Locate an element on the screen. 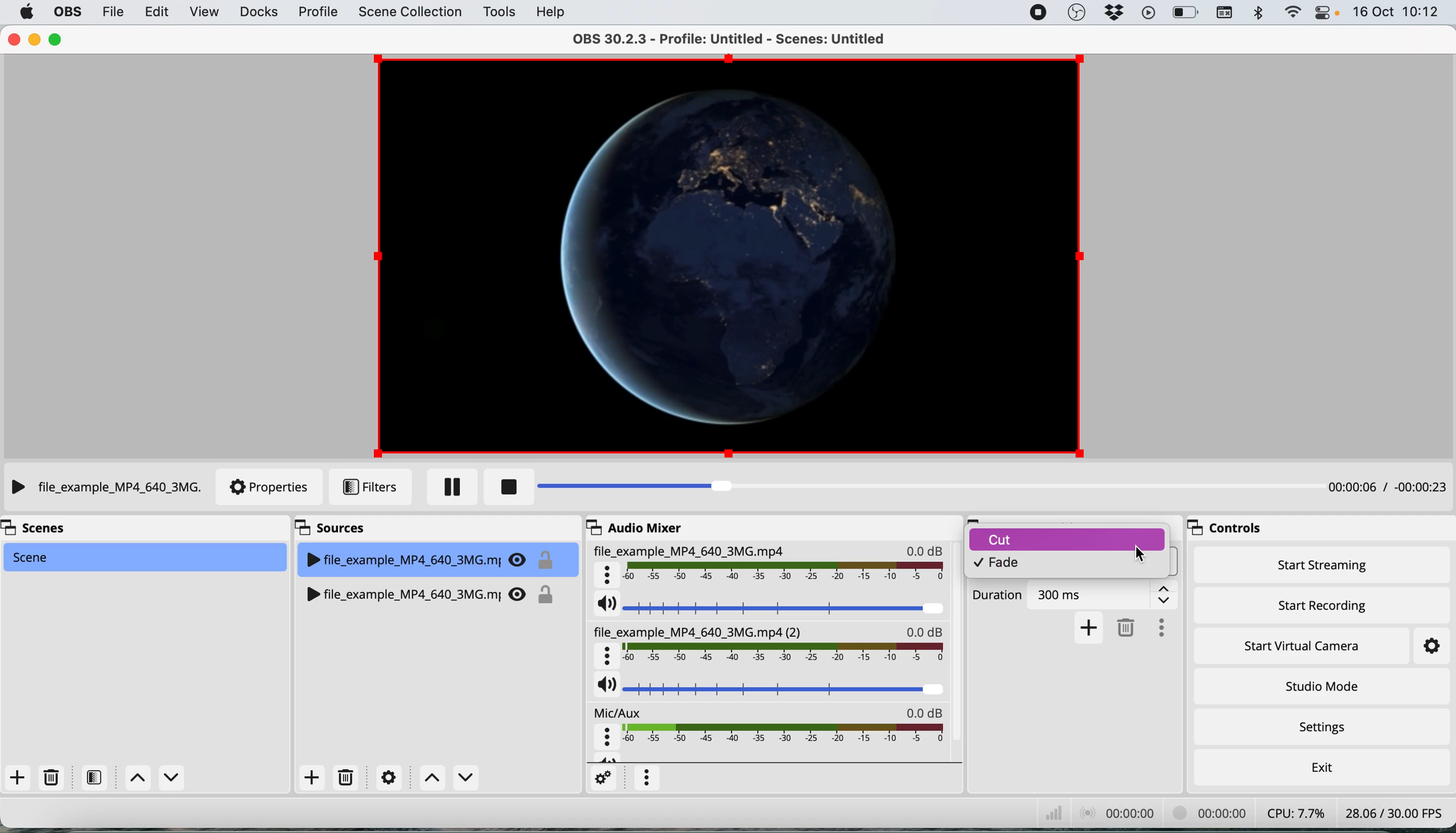 The width and height of the screenshot is (1456, 833). view is located at coordinates (205, 13).